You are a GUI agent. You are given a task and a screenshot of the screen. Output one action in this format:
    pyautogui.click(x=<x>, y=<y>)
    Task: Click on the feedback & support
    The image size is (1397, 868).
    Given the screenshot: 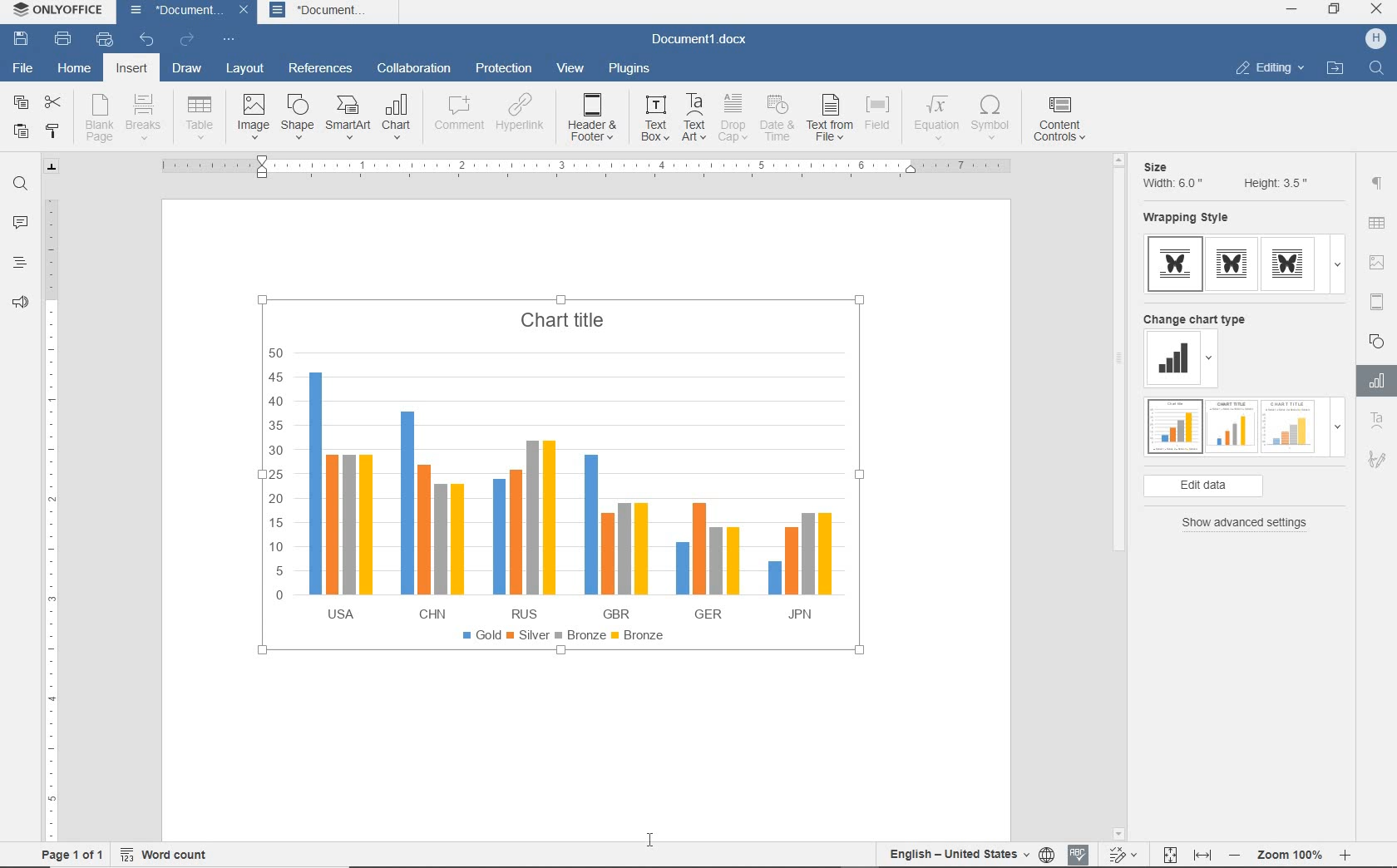 What is the action you would take?
    pyautogui.click(x=18, y=306)
    